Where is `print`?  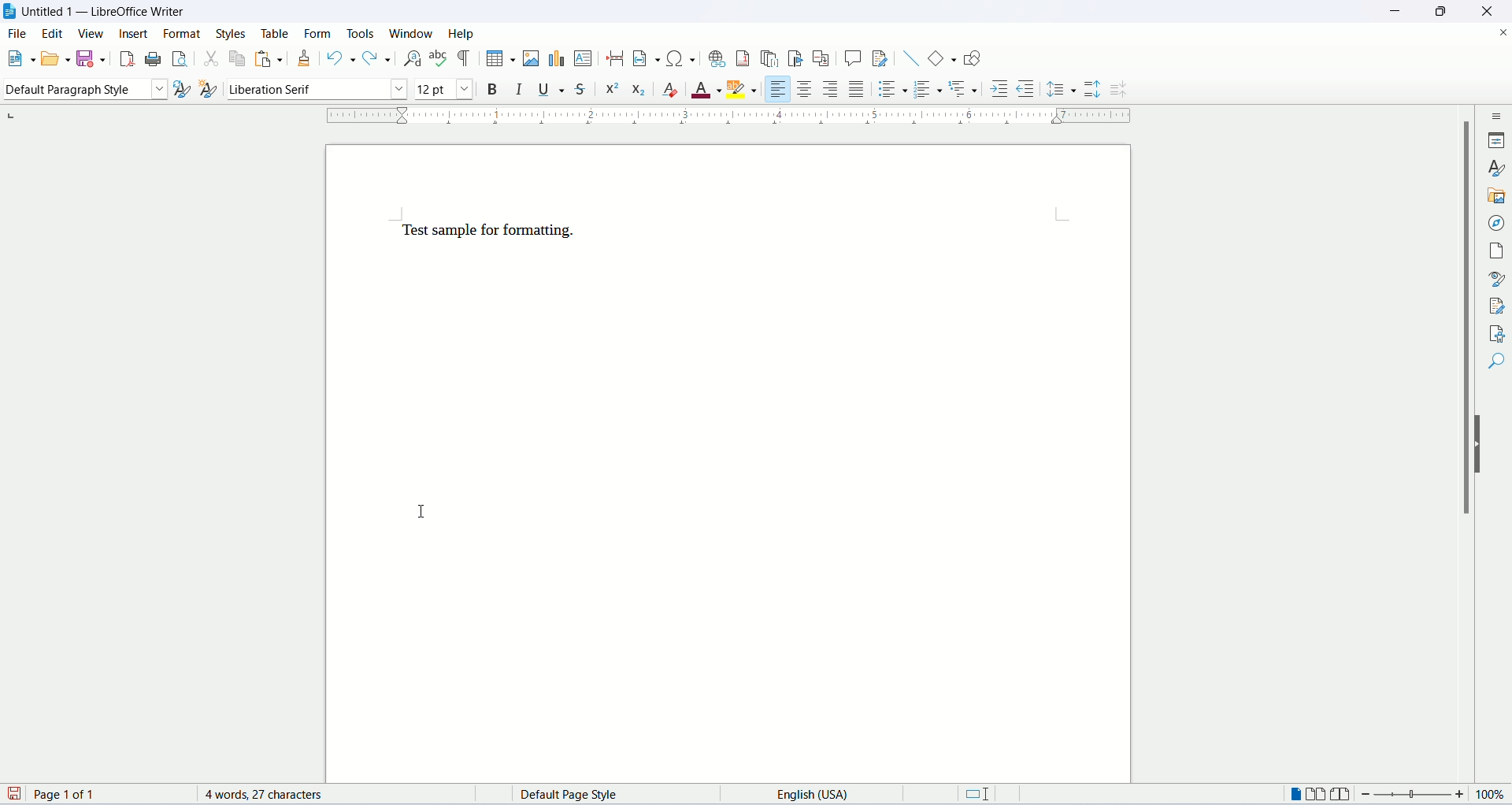
print is located at coordinates (153, 57).